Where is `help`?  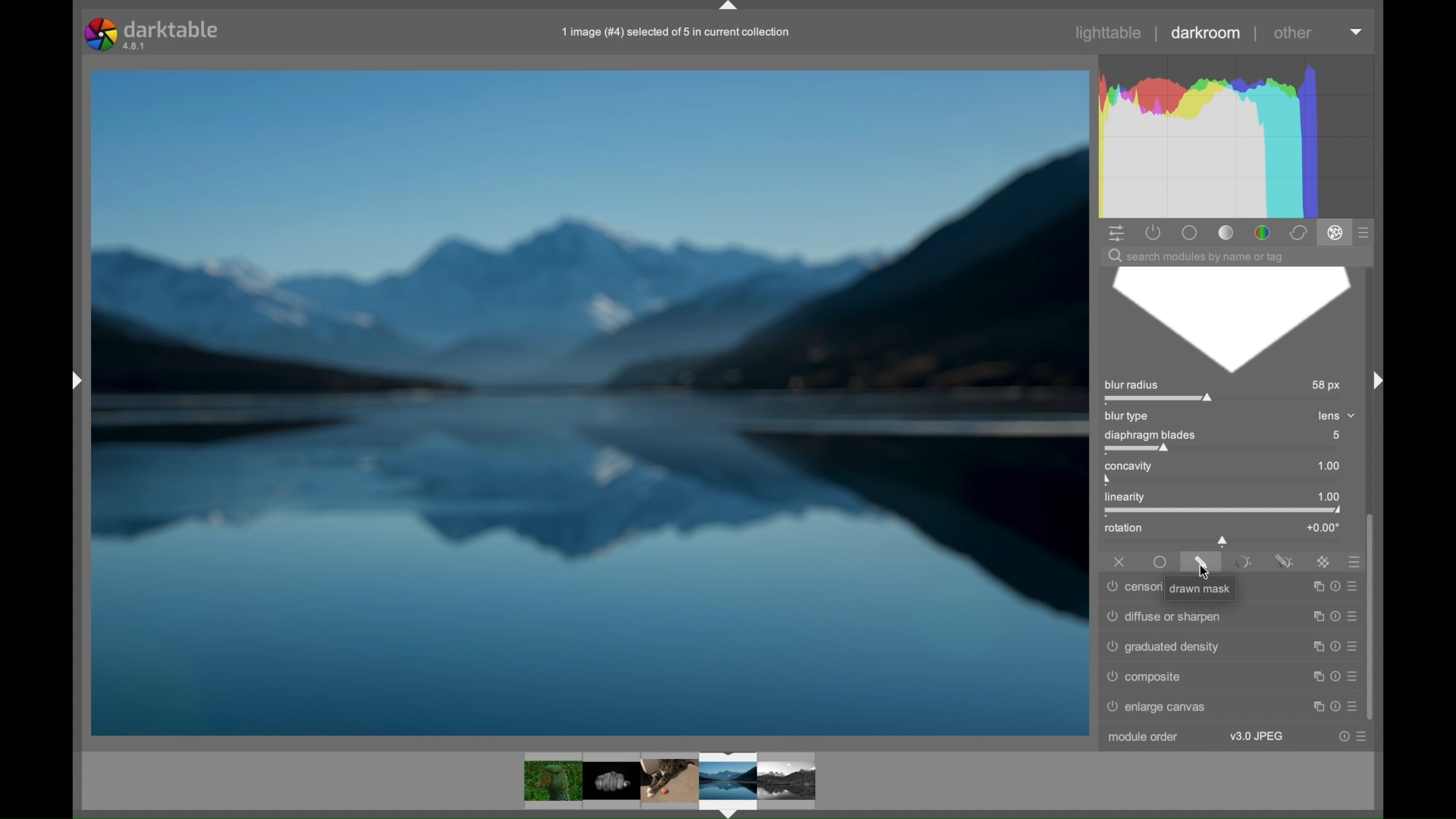
help is located at coordinates (1333, 613).